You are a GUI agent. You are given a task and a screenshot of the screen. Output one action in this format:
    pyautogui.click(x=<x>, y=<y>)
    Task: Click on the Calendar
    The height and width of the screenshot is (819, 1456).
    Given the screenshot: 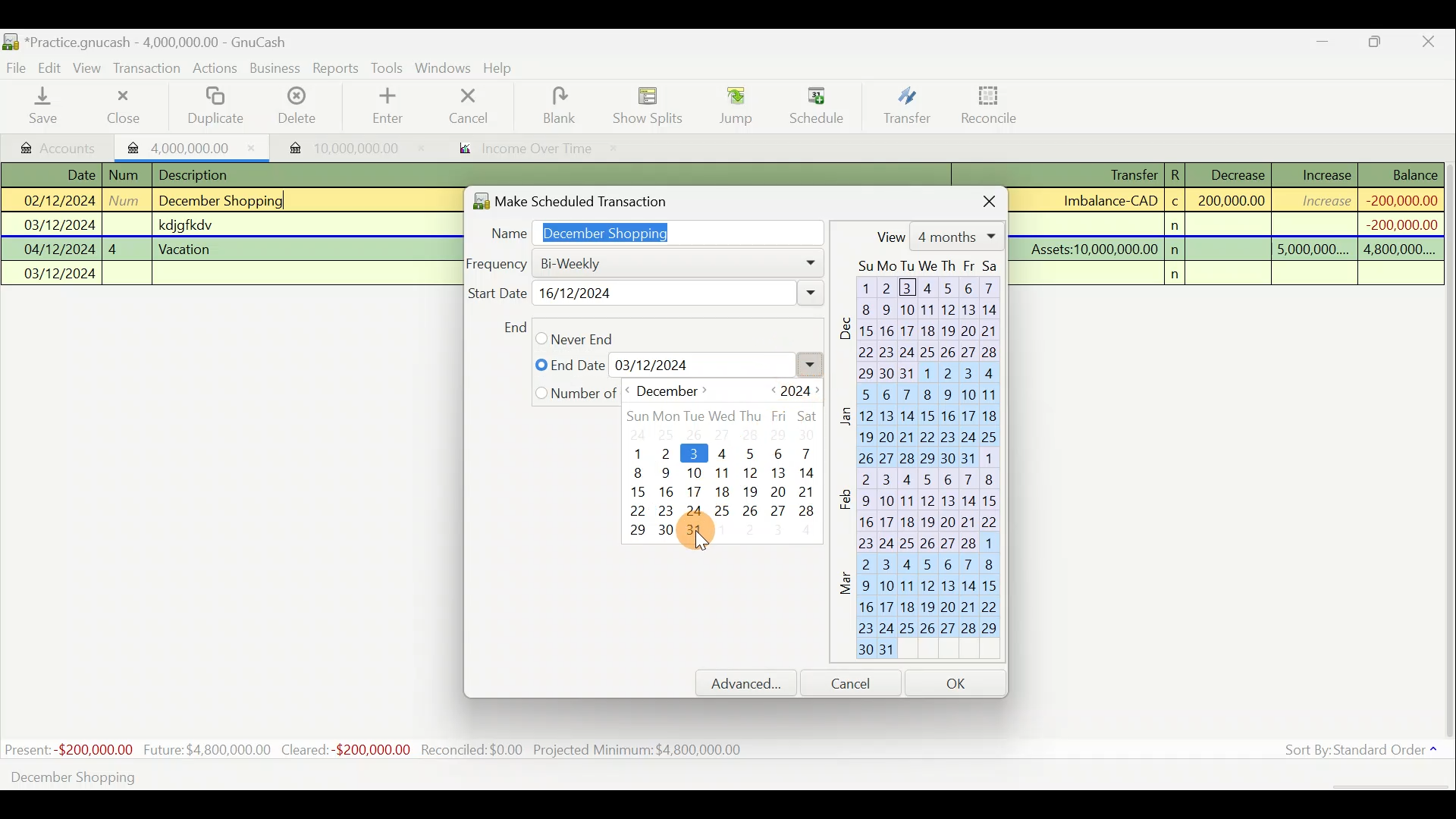 What is the action you would take?
    pyautogui.click(x=925, y=463)
    